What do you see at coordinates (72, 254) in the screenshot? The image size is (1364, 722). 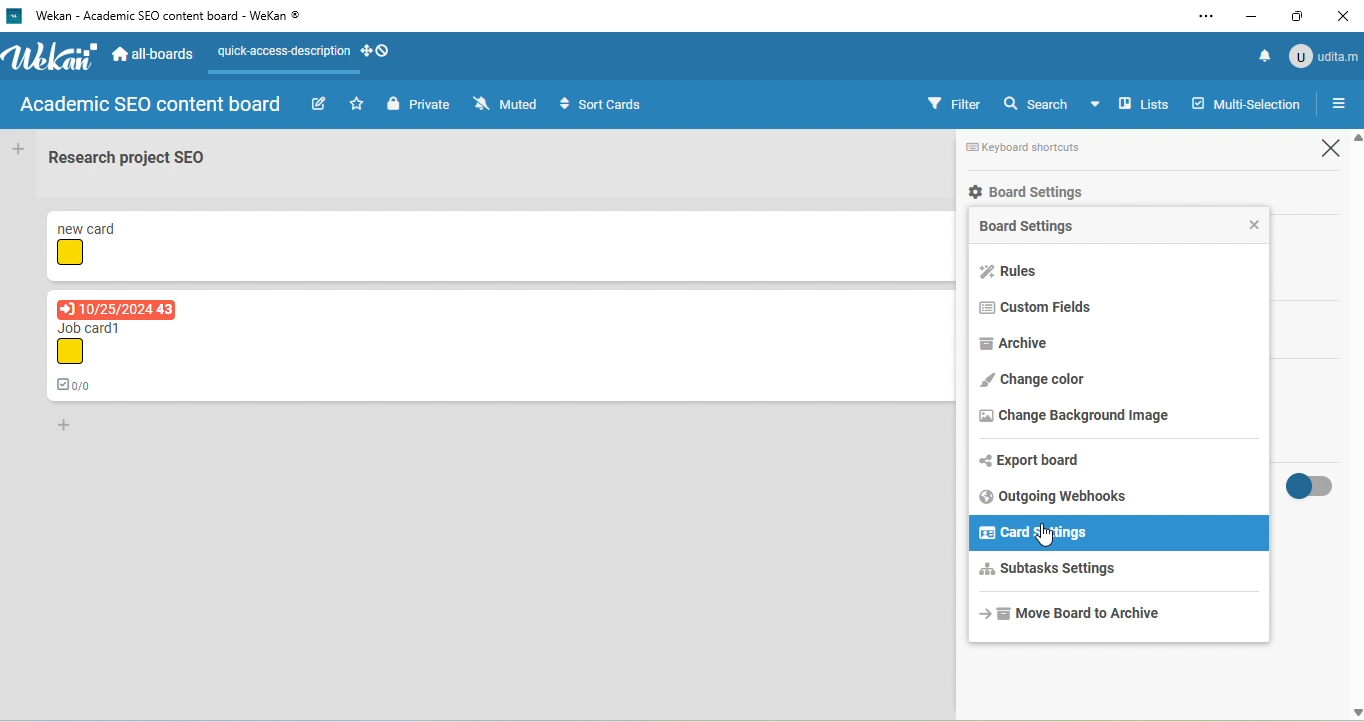 I see `yellow shape` at bounding box center [72, 254].